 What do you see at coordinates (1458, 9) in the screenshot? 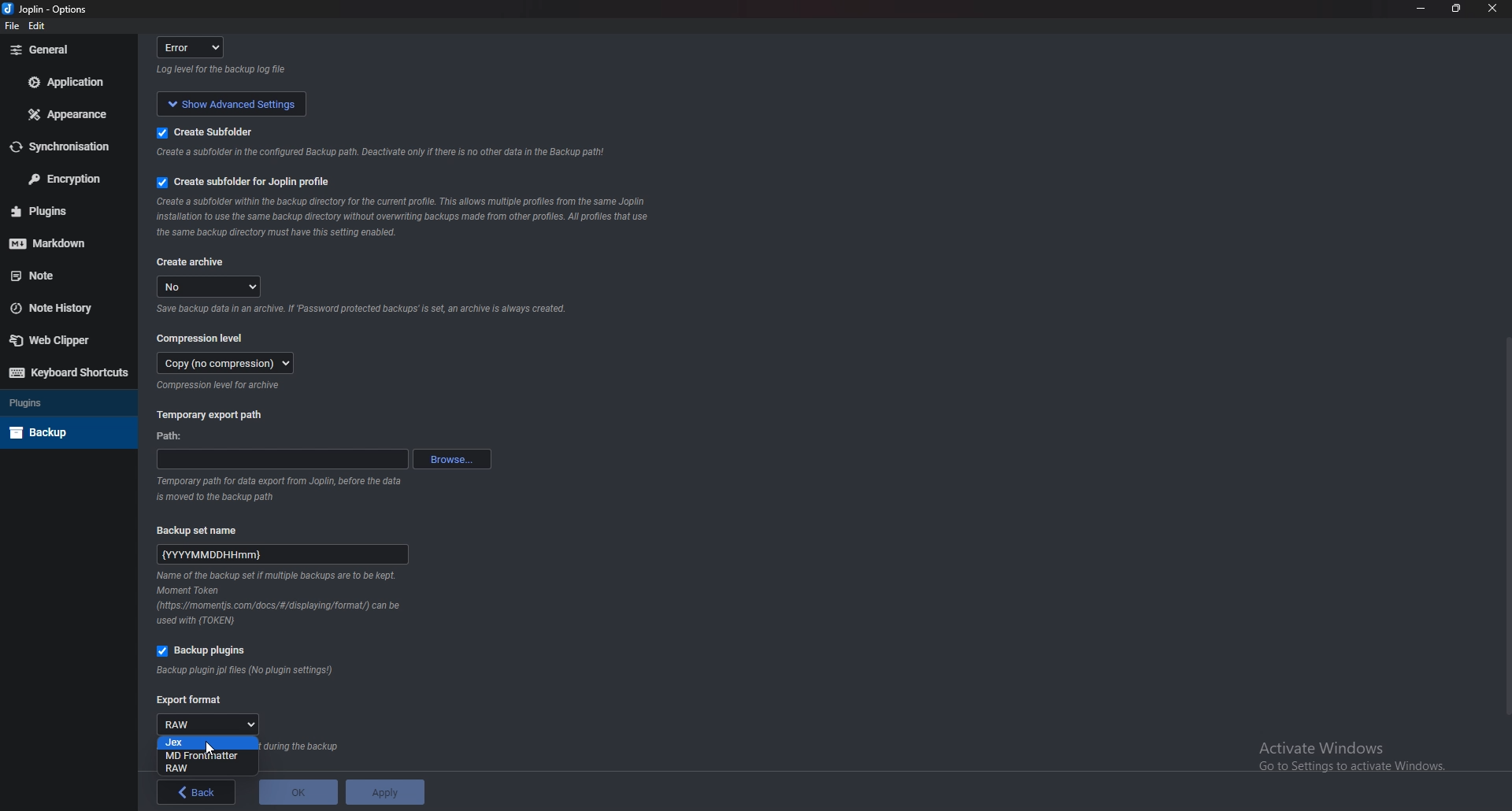
I see `Resize` at bounding box center [1458, 9].